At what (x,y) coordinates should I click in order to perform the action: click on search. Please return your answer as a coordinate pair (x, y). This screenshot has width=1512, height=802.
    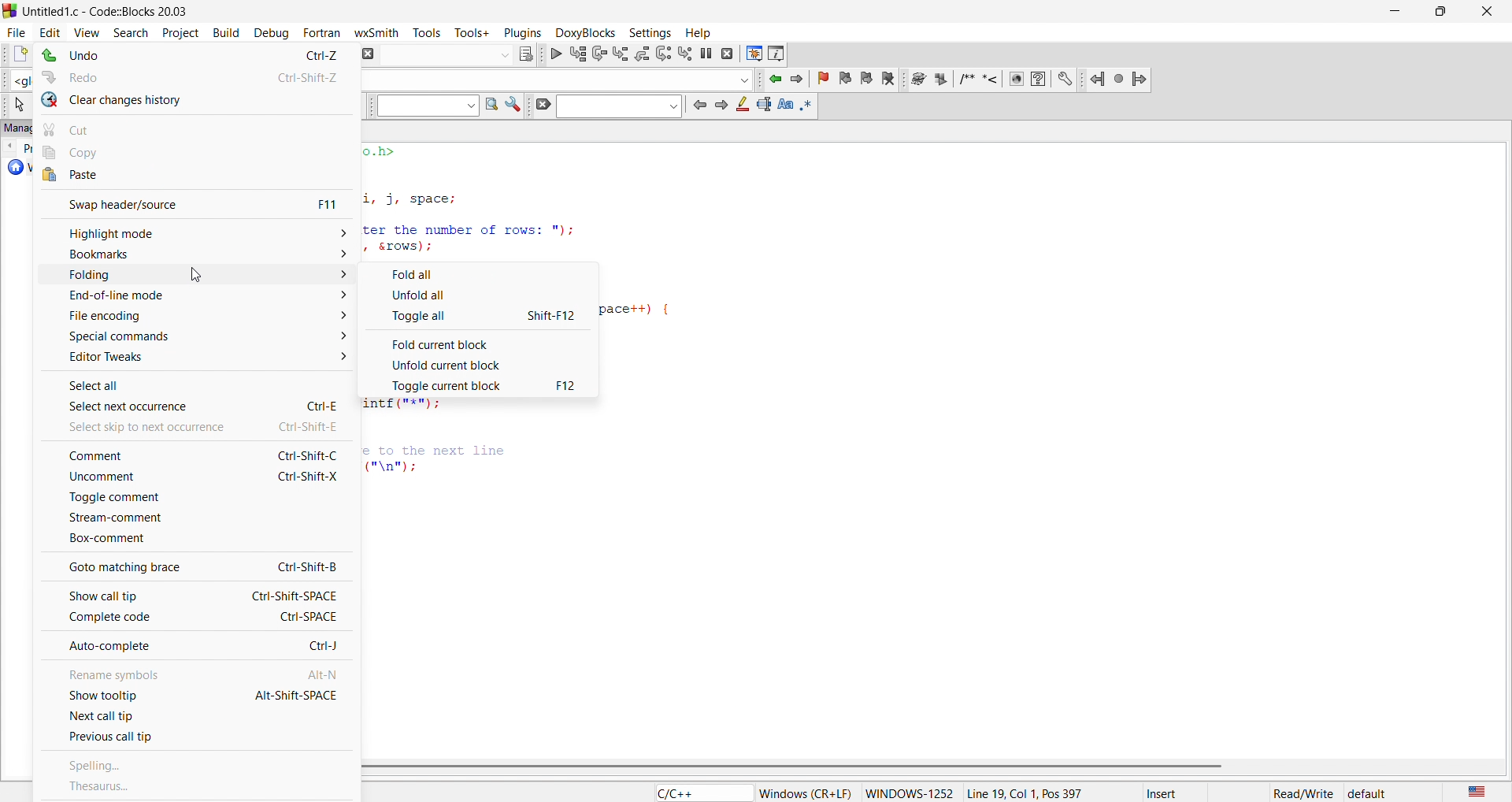
    Looking at the image, I should click on (125, 31).